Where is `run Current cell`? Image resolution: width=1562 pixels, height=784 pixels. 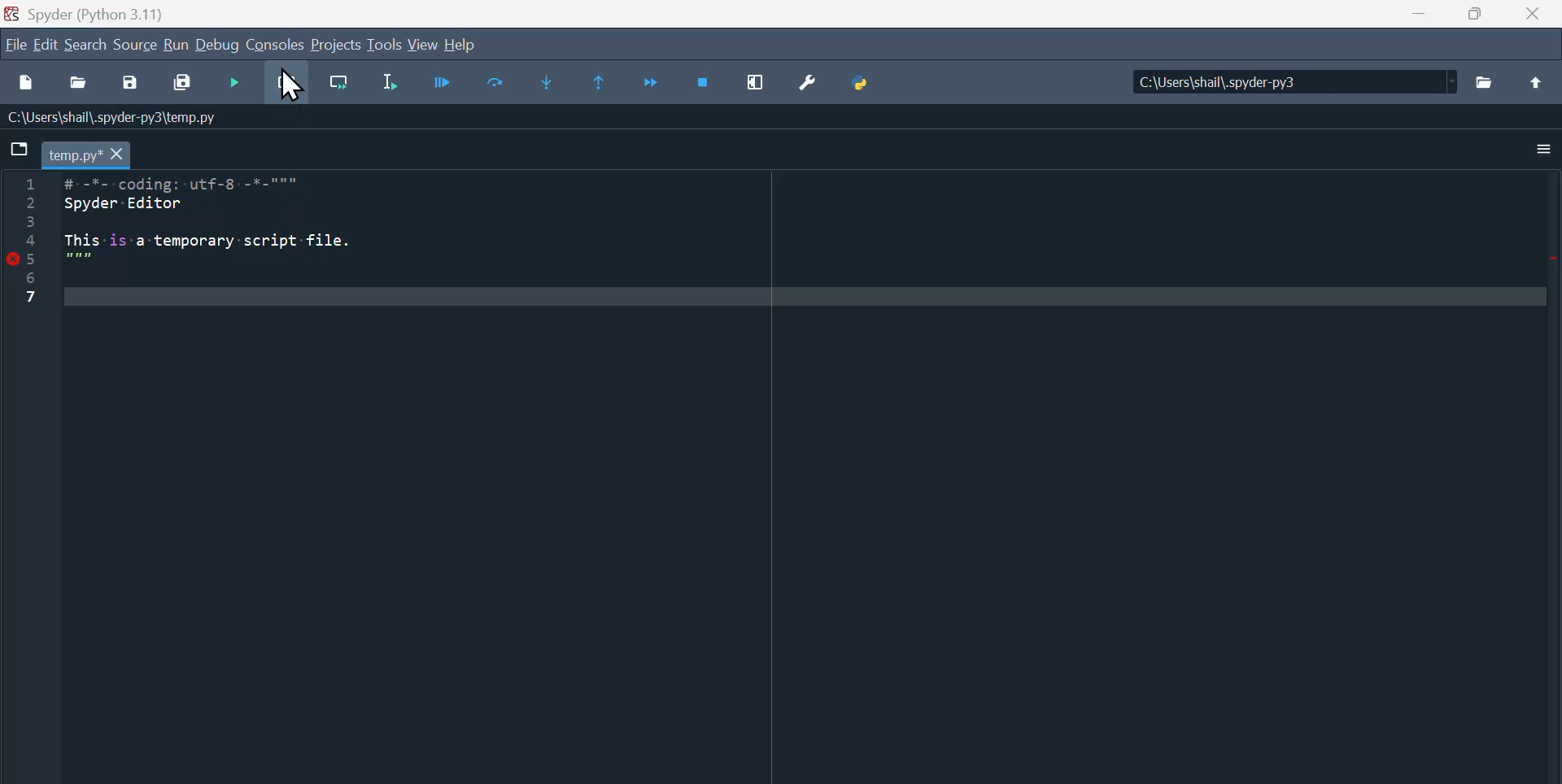 run Current cell is located at coordinates (447, 85).